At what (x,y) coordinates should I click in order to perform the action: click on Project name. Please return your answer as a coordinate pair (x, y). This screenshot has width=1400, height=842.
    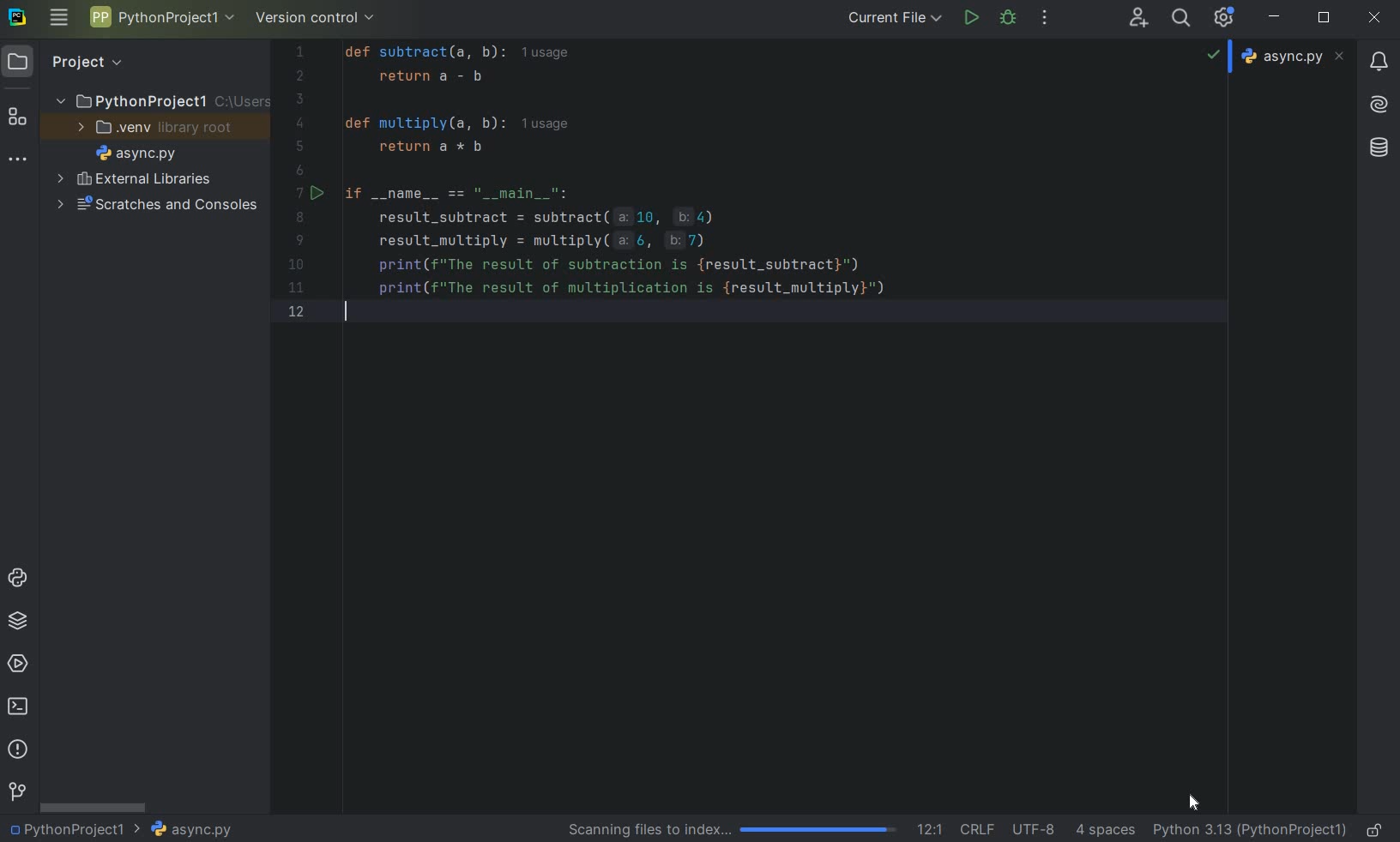
    Looking at the image, I should click on (75, 828).